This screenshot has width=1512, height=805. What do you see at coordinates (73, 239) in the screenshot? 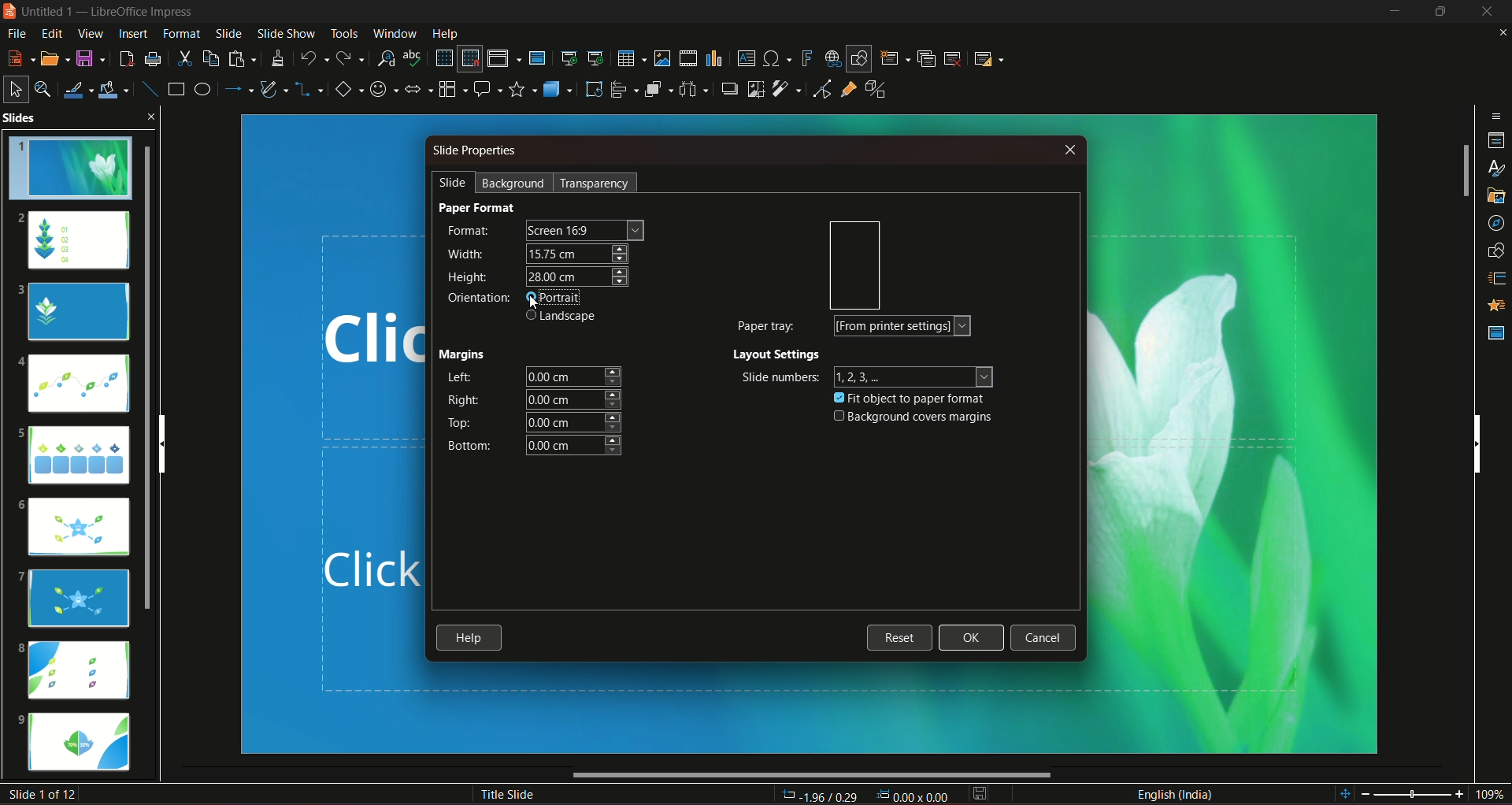
I see `slide 2` at bounding box center [73, 239].